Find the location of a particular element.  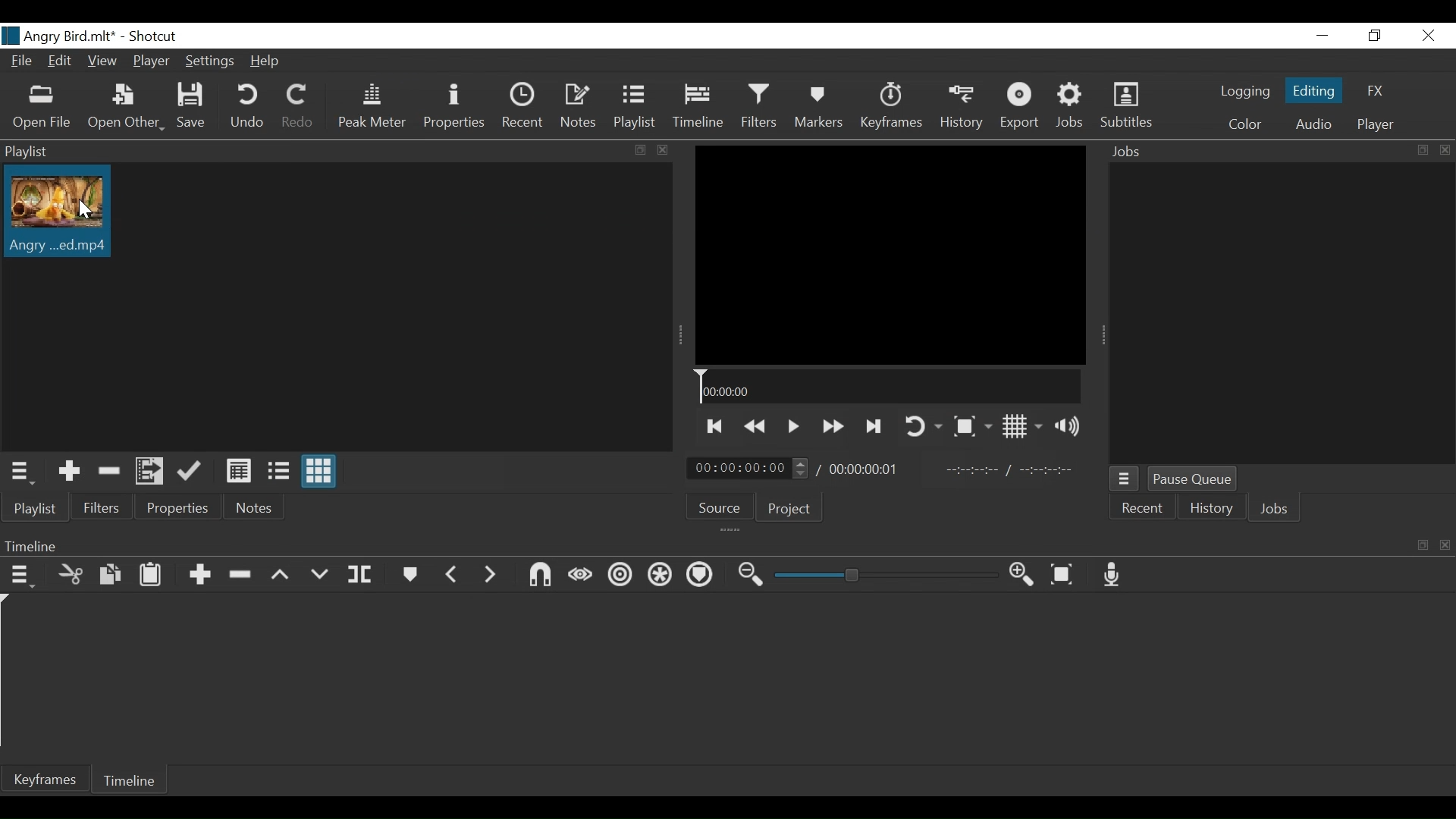

Cut is located at coordinates (71, 575).